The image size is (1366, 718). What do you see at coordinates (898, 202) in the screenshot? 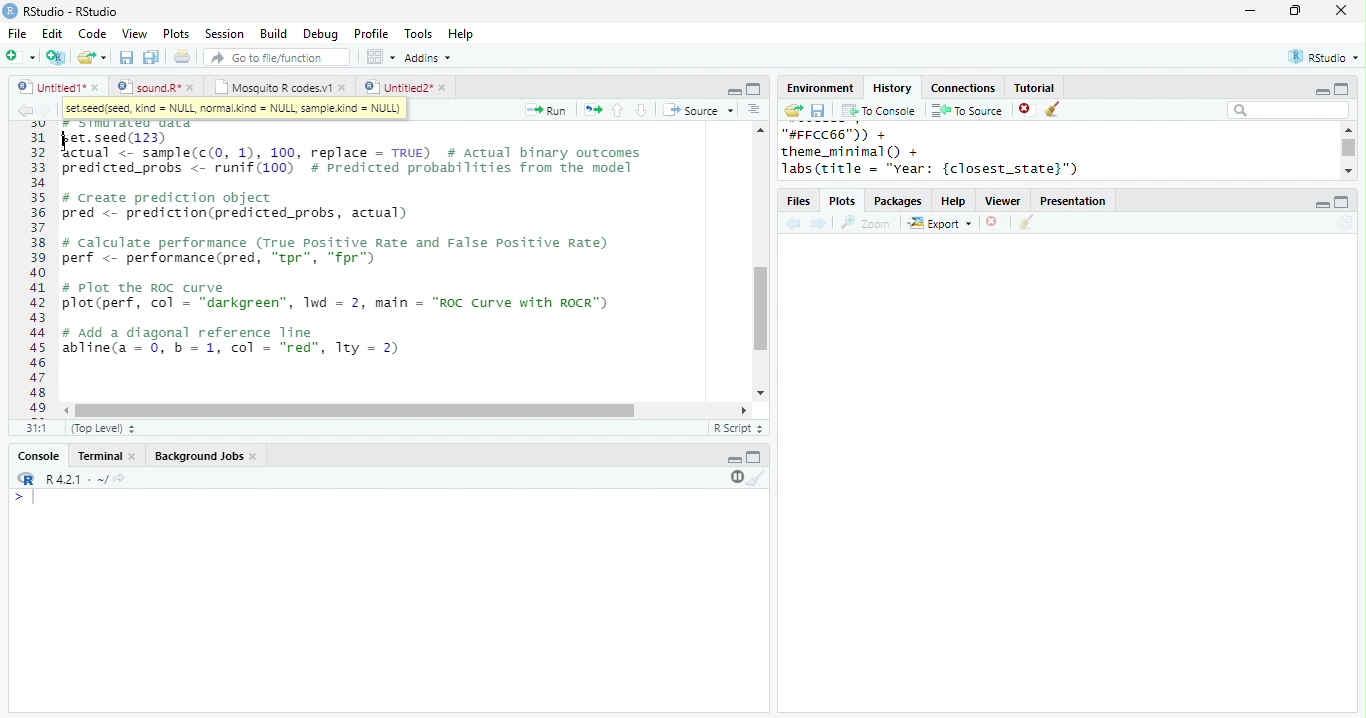
I see `Packages` at bounding box center [898, 202].